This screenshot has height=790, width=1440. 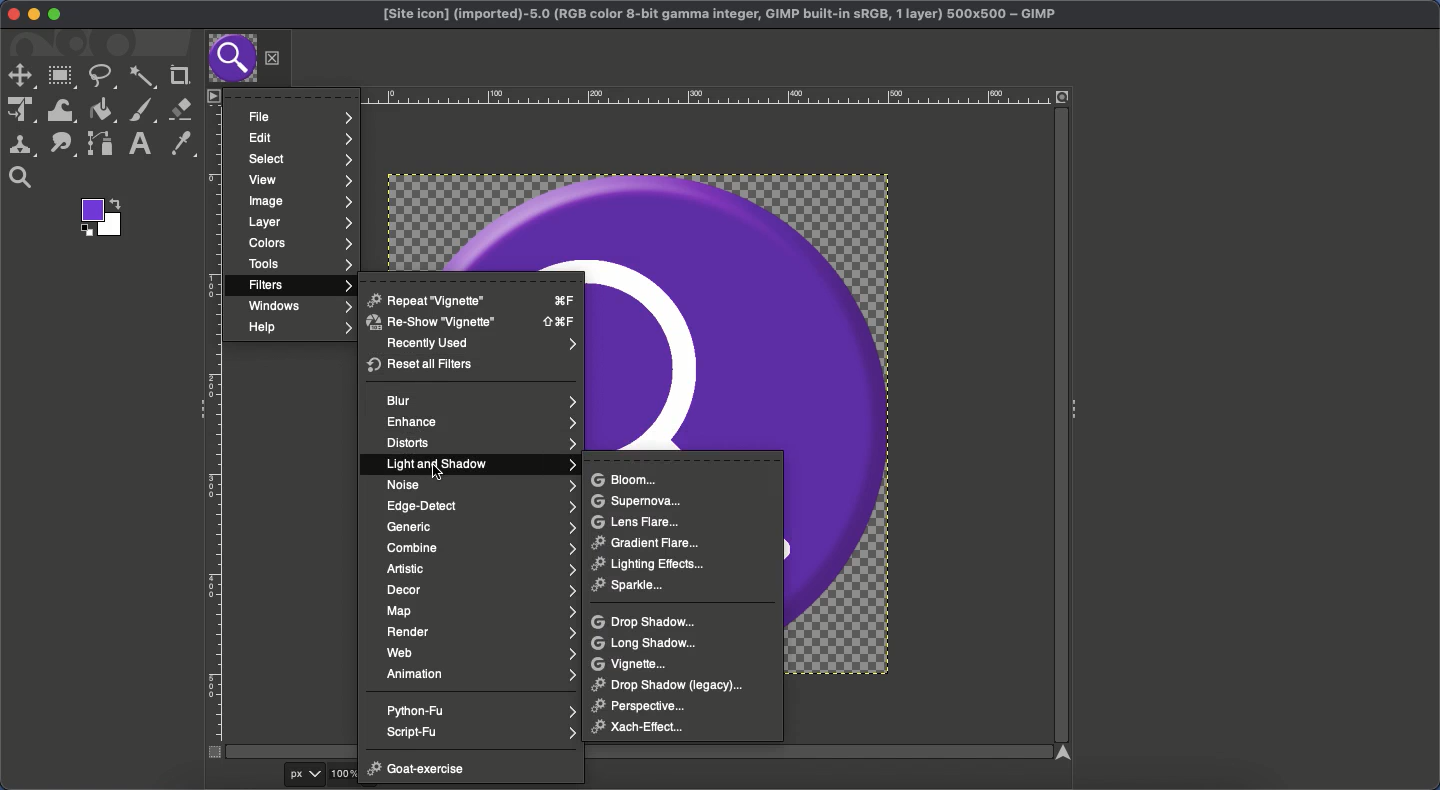 What do you see at coordinates (480, 570) in the screenshot?
I see `Artistic` at bounding box center [480, 570].